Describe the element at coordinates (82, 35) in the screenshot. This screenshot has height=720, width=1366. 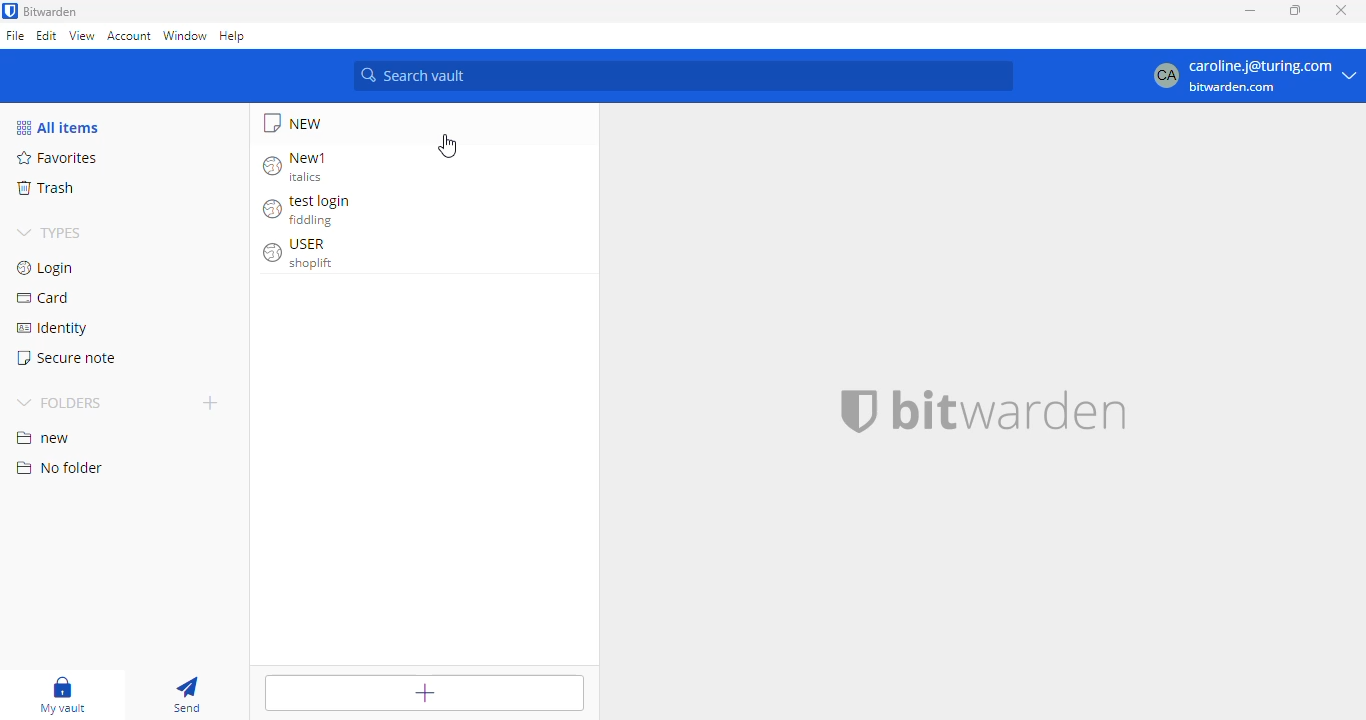
I see `view` at that location.